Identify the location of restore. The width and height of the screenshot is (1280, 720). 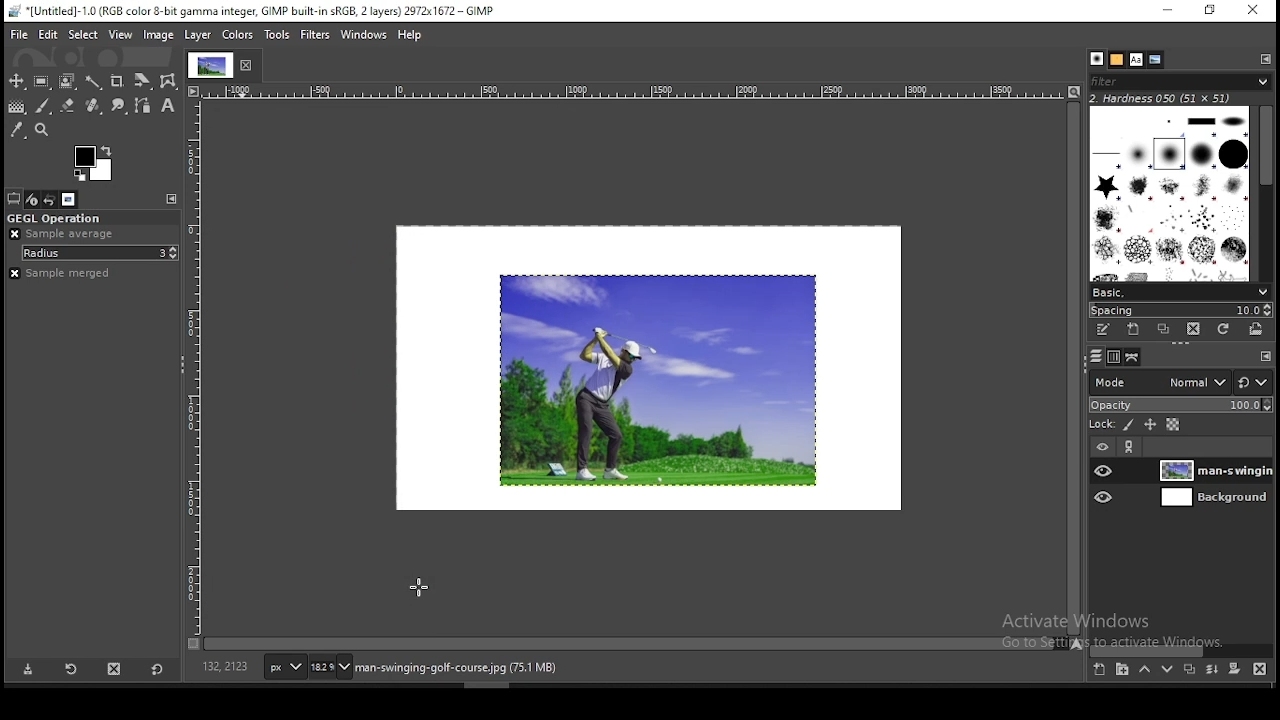
(1212, 12).